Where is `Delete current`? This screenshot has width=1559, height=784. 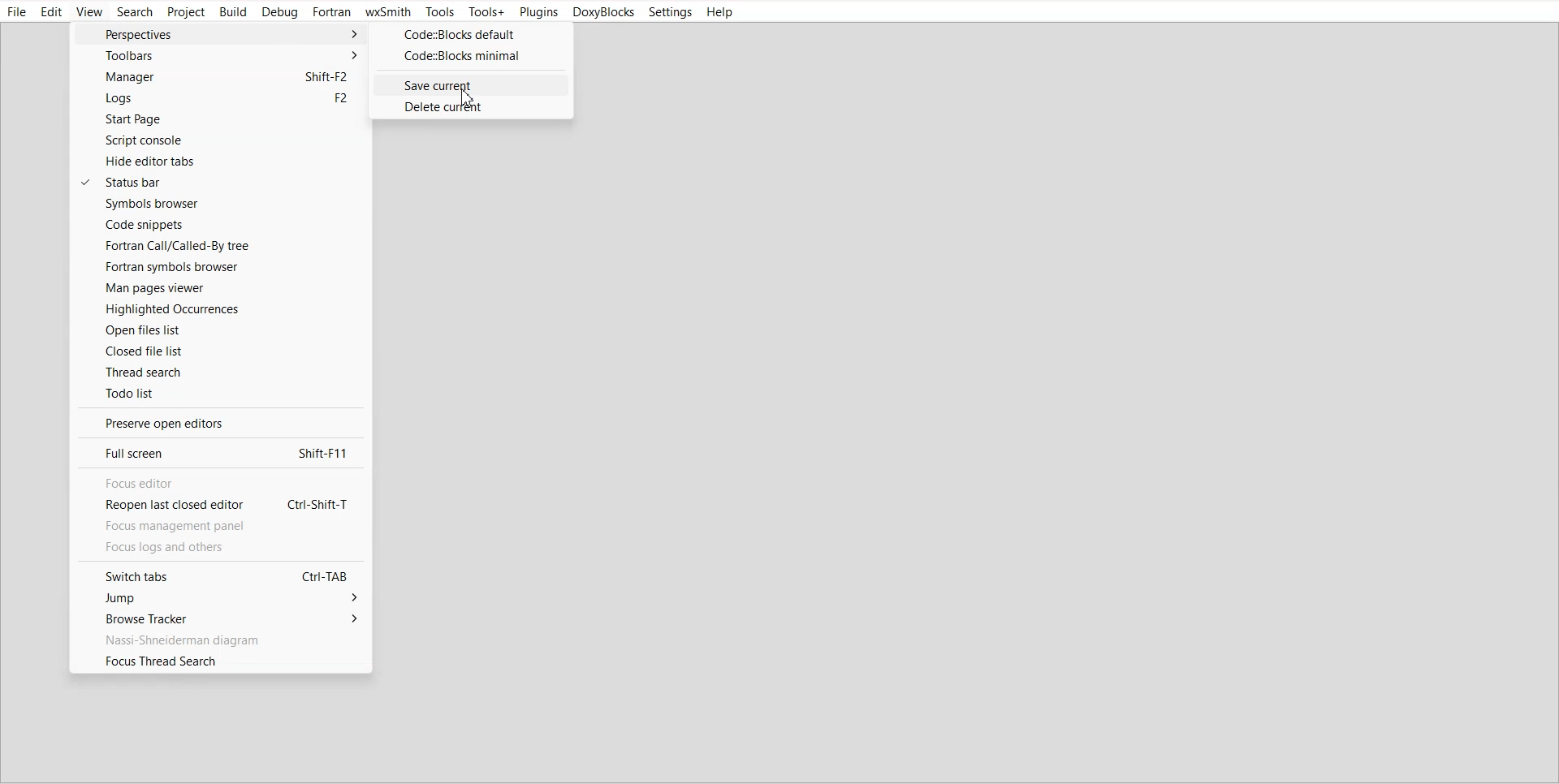
Delete current is located at coordinates (471, 107).